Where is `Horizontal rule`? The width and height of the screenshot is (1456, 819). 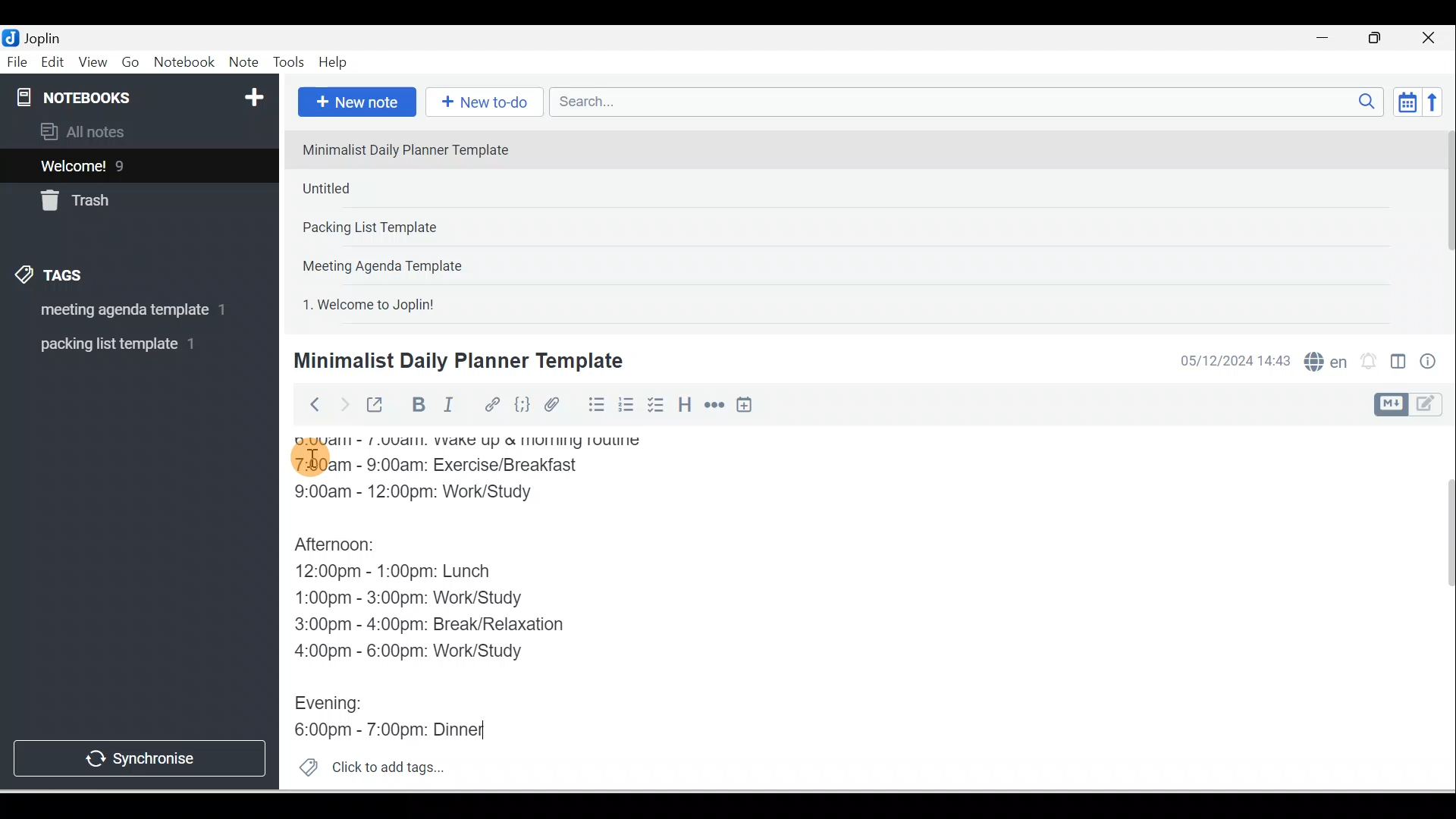 Horizontal rule is located at coordinates (716, 405).